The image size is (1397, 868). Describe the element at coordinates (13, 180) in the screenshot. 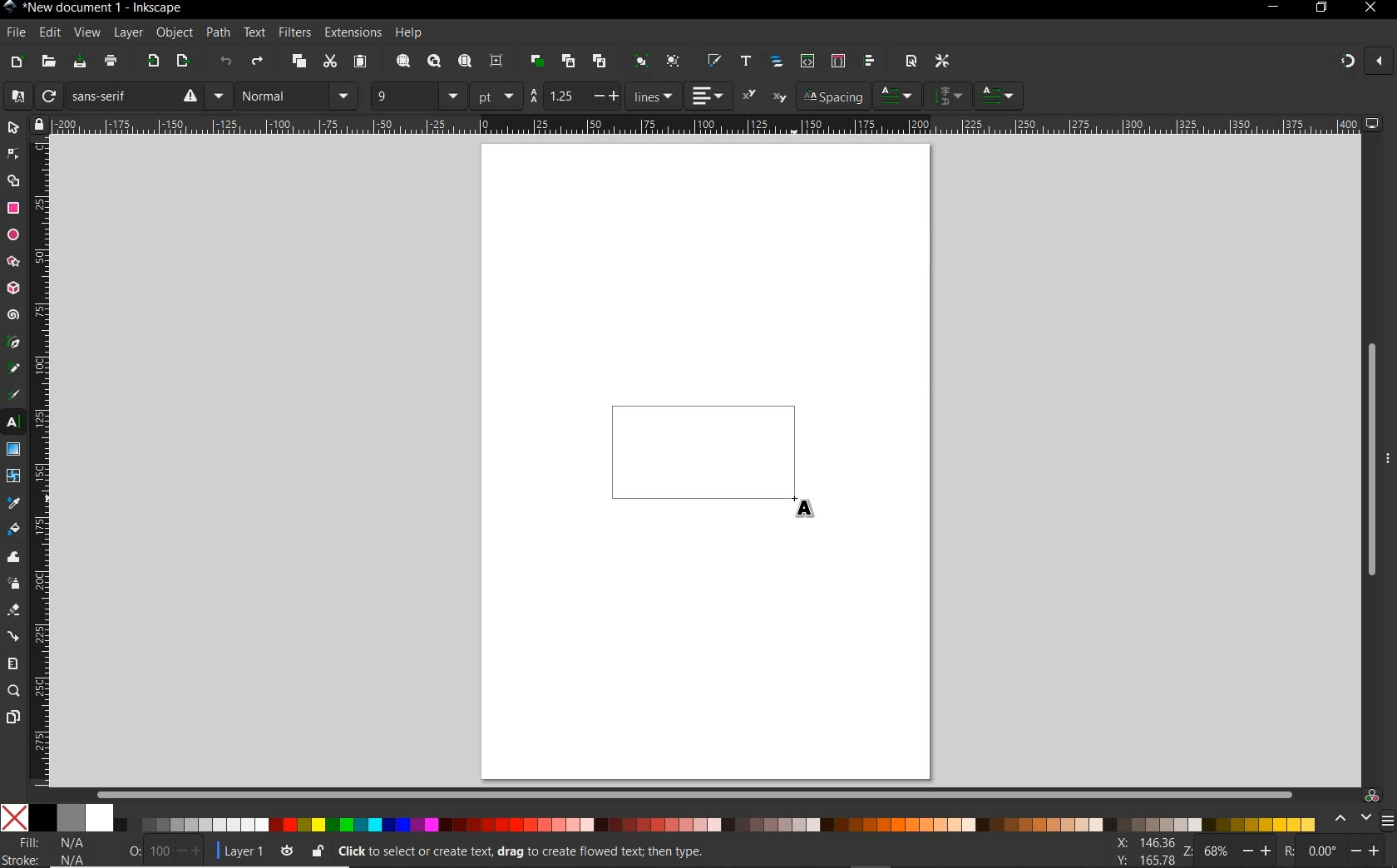

I see `shape builder tool` at that location.